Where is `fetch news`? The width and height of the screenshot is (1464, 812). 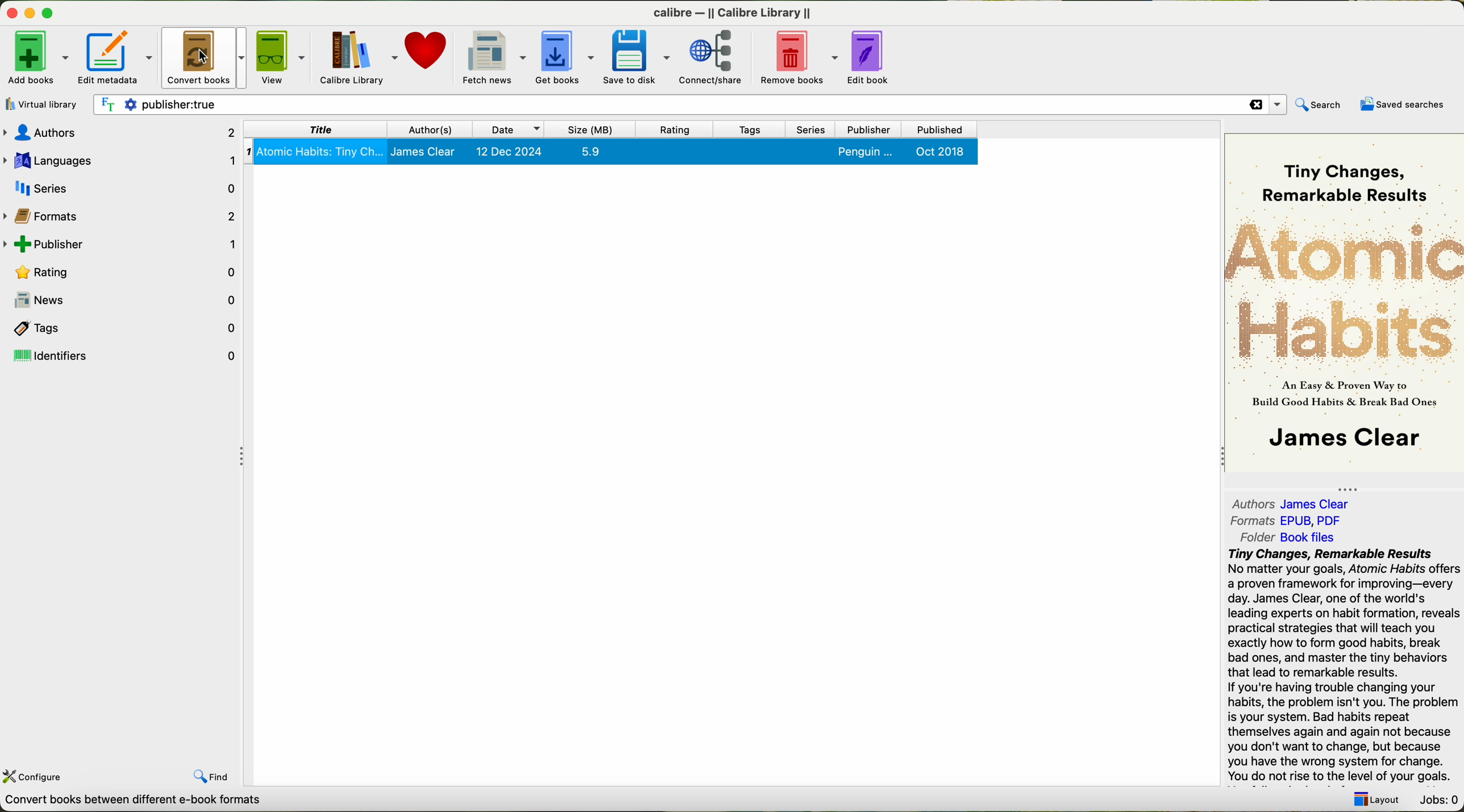 fetch news is located at coordinates (492, 57).